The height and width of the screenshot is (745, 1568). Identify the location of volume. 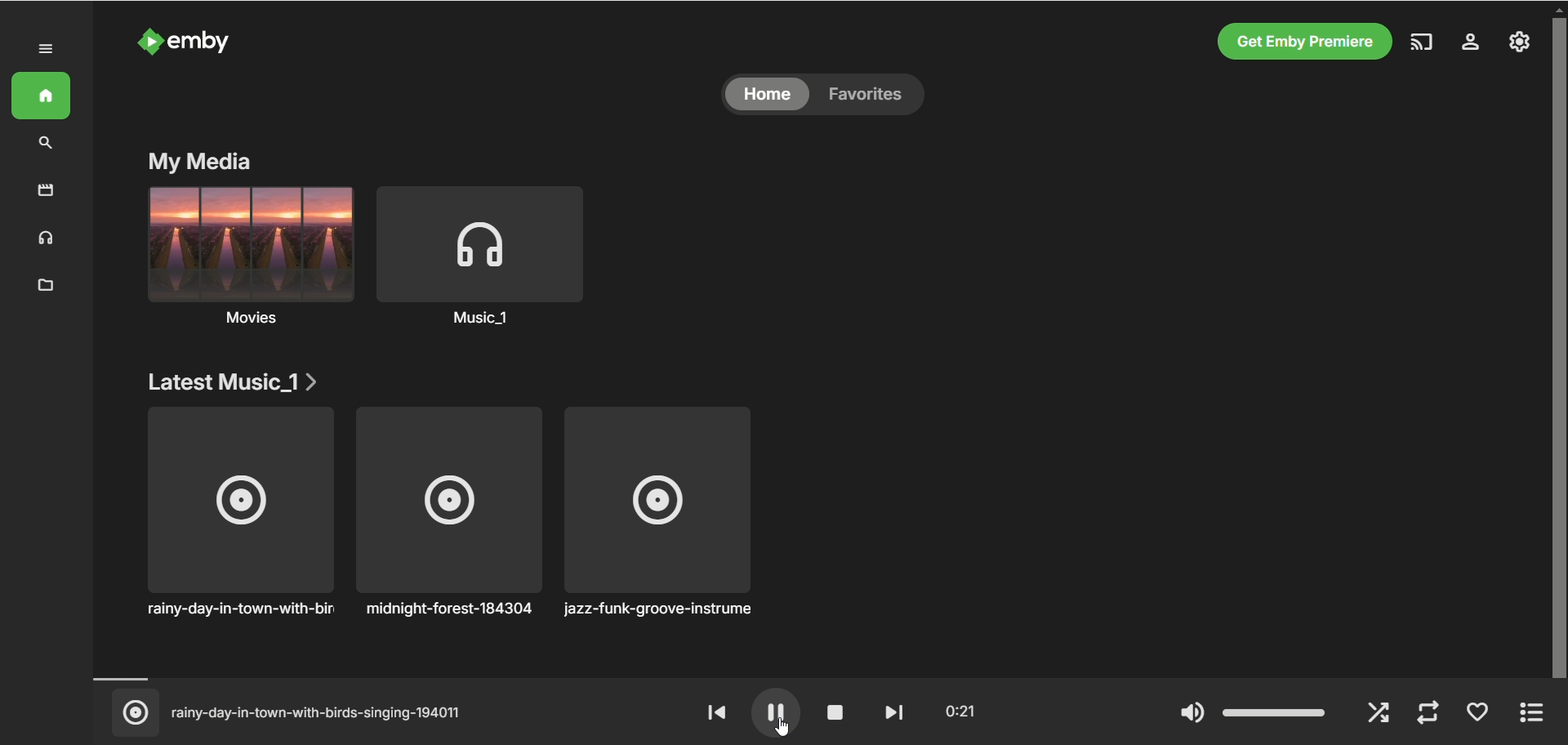
(1249, 712).